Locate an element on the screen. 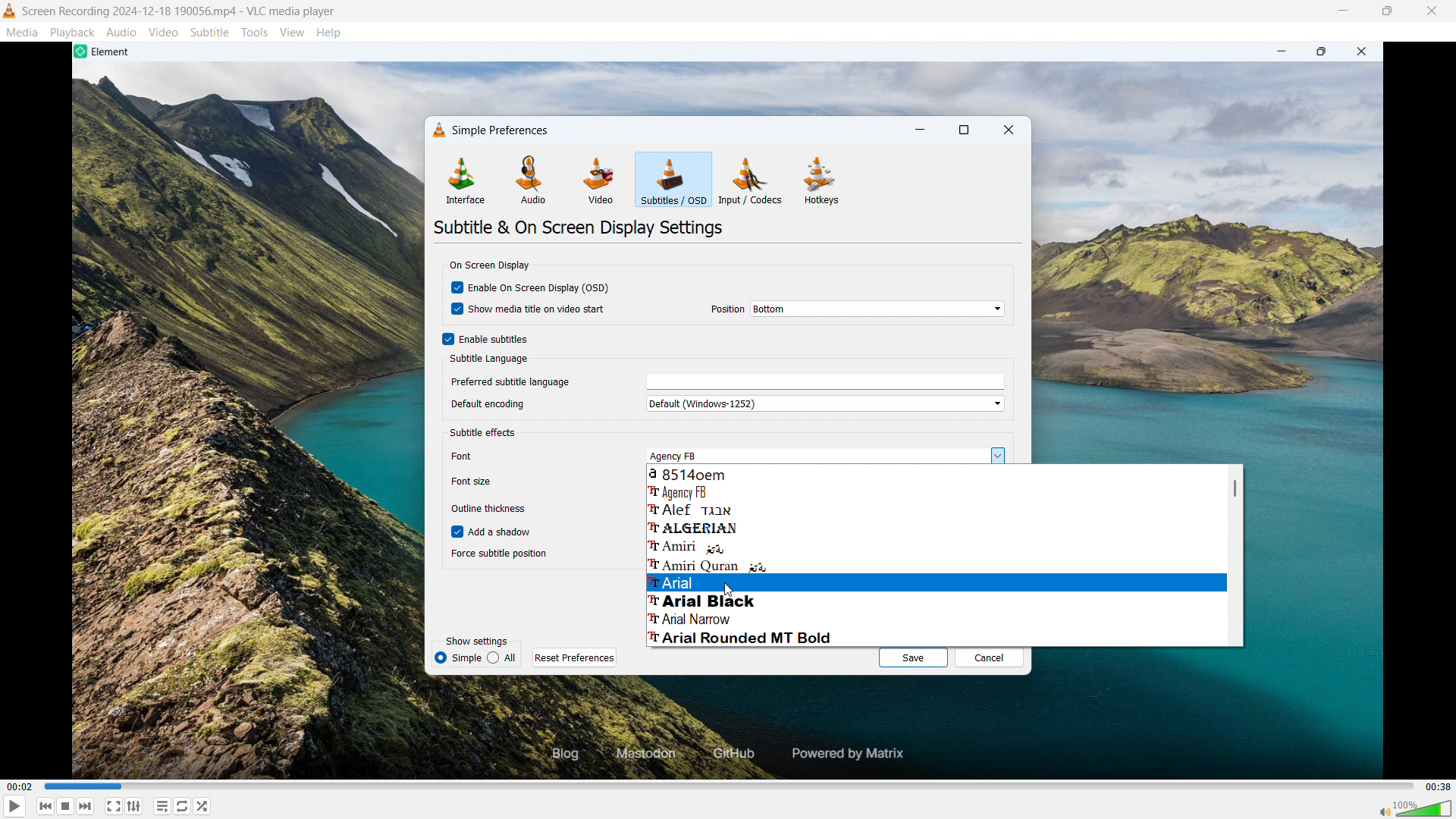 Image resolution: width=1456 pixels, height=819 pixels. add a shadow is located at coordinates (493, 530).